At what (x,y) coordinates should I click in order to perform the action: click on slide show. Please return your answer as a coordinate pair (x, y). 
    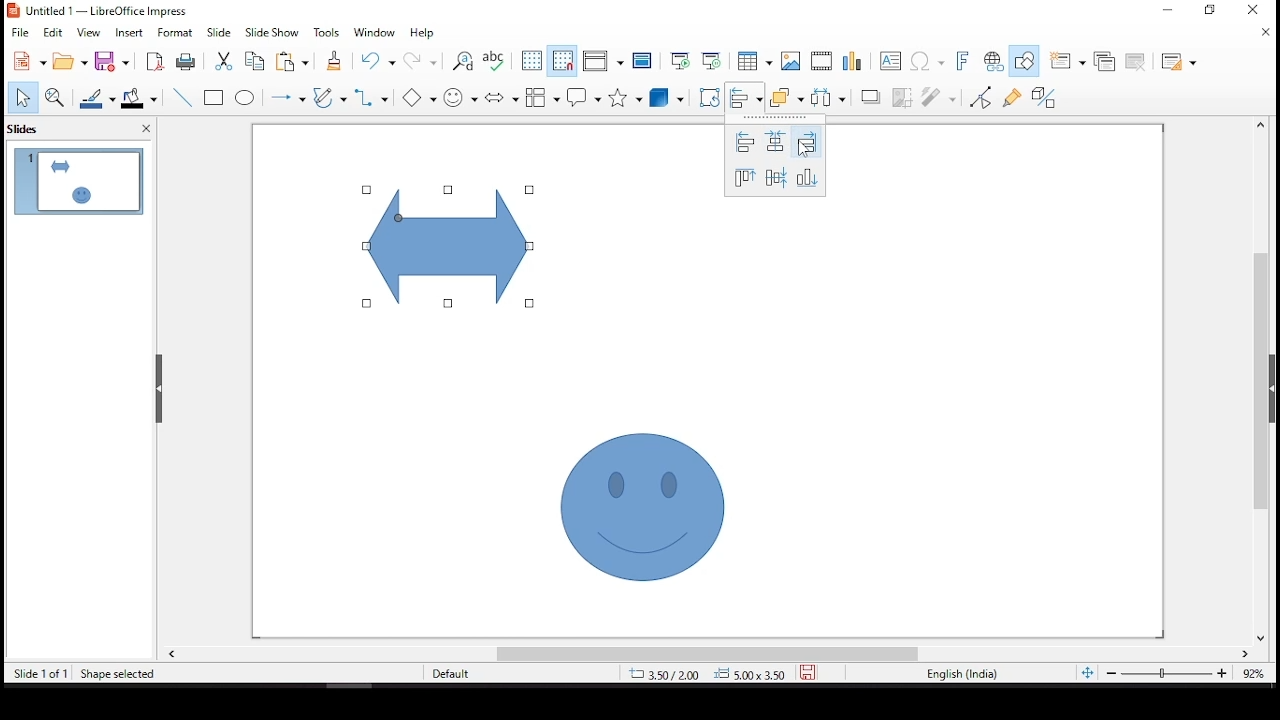
    Looking at the image, I should click on (275, 33).